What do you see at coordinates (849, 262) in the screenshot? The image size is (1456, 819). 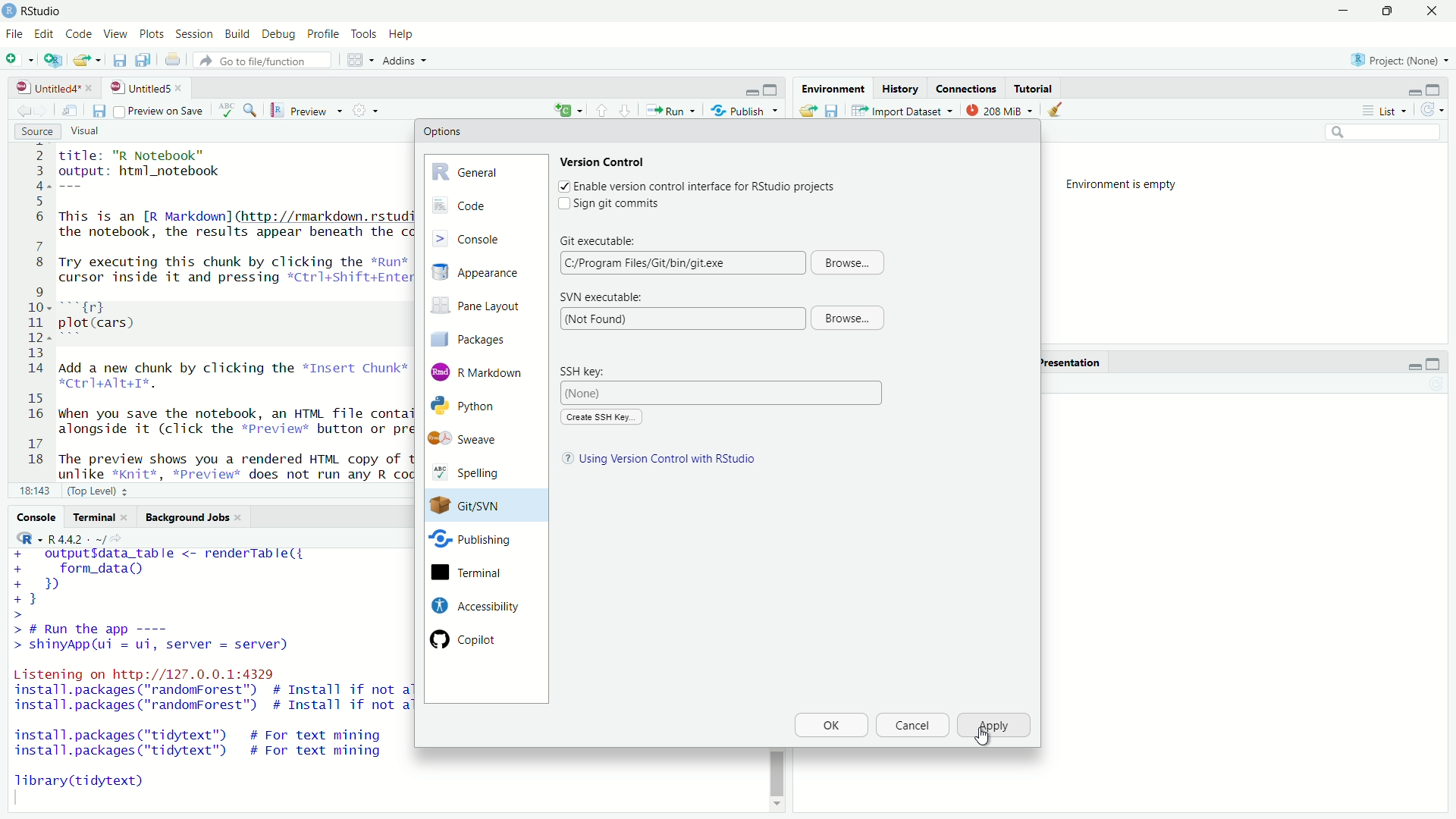 I see `Browse...` at bounding box center [849, 262].